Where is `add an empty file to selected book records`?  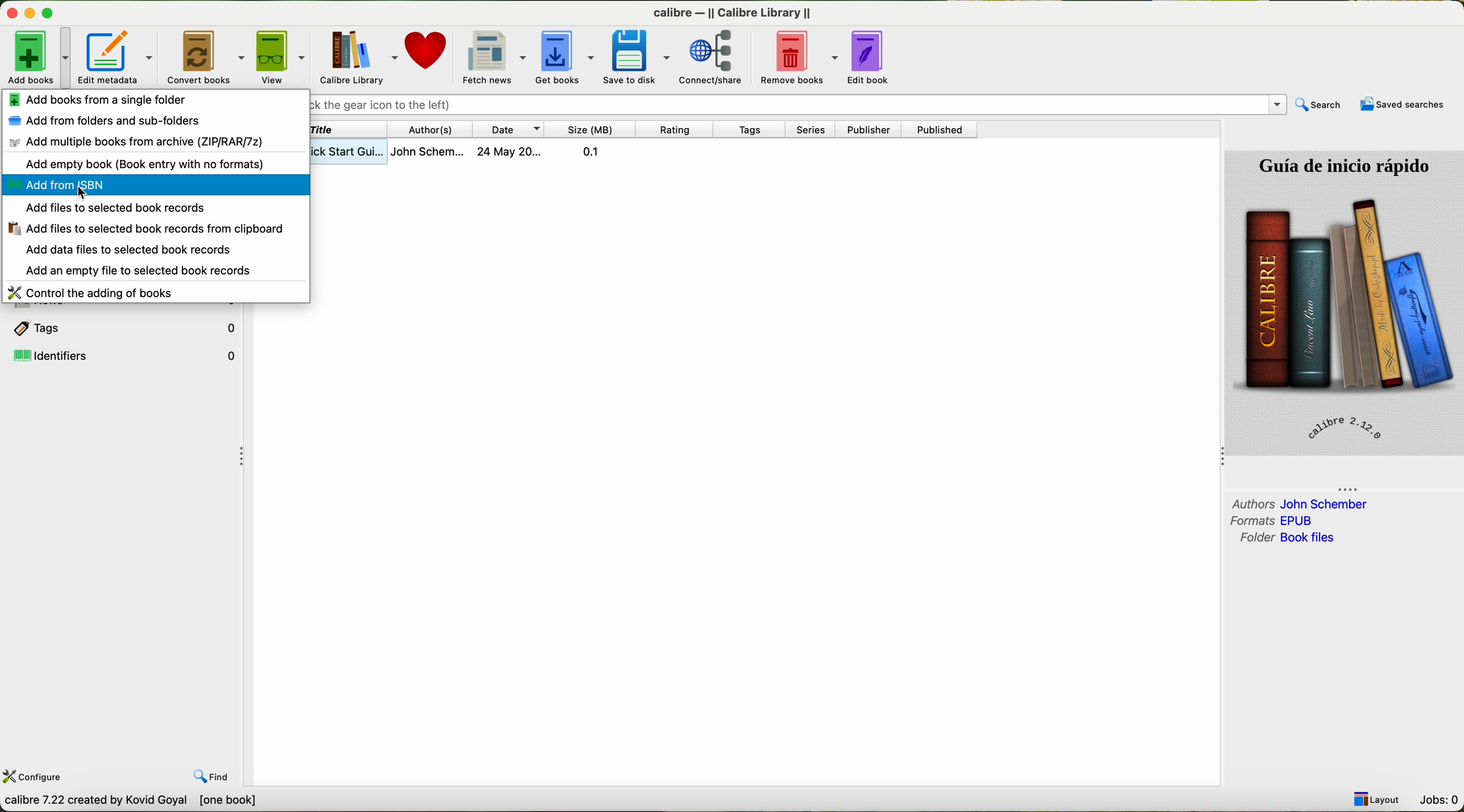 add an empty file to selected book records is located at coordinates (143, 270).